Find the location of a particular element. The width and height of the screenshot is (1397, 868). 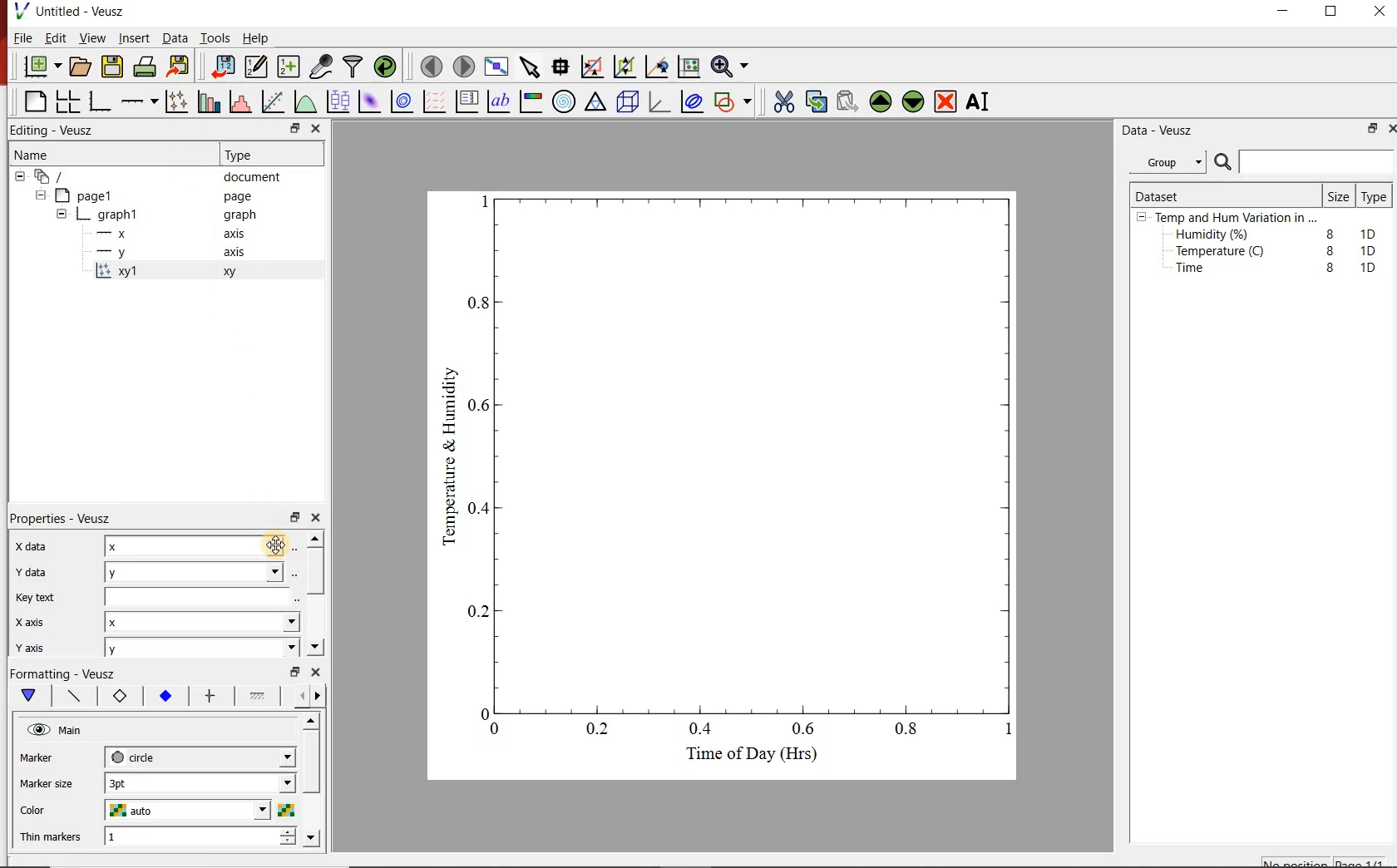

hide sub menu is located at coordinates (1142, 219).